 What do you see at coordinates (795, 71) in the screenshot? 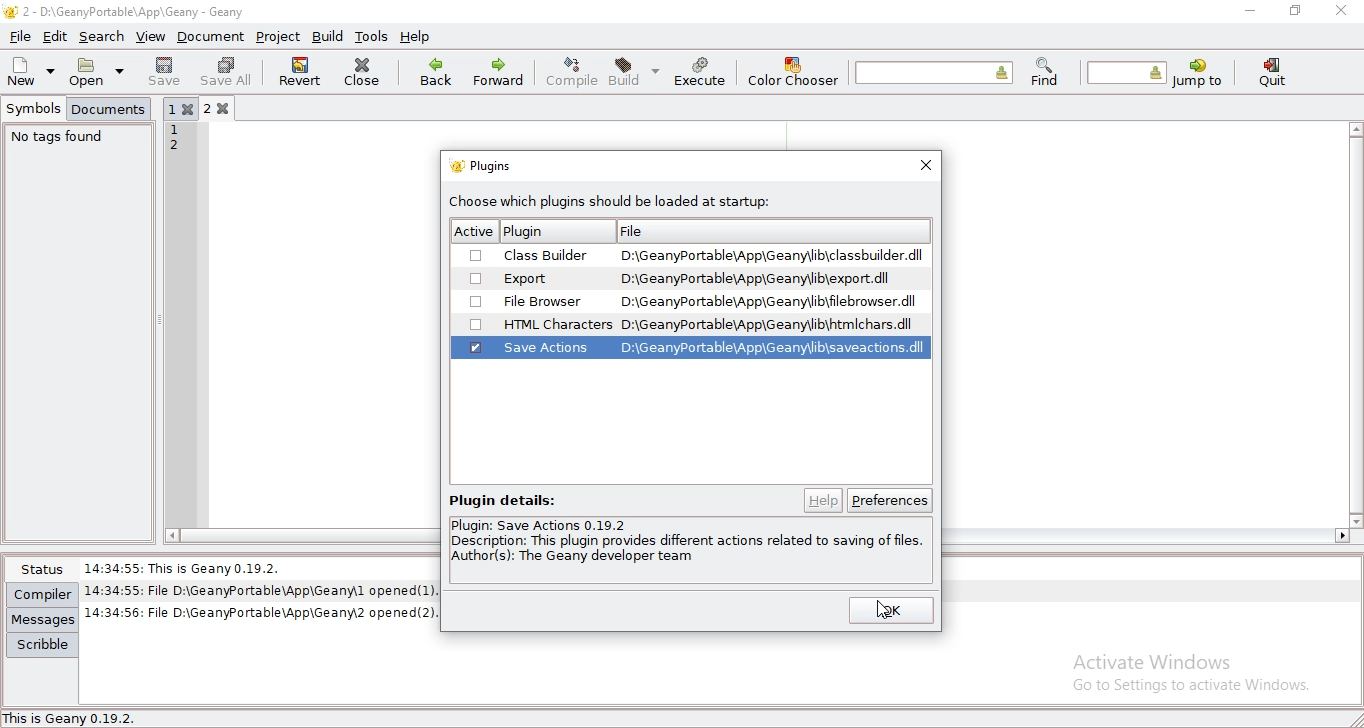
I see `color chooser` at bounding box center [795, 71].